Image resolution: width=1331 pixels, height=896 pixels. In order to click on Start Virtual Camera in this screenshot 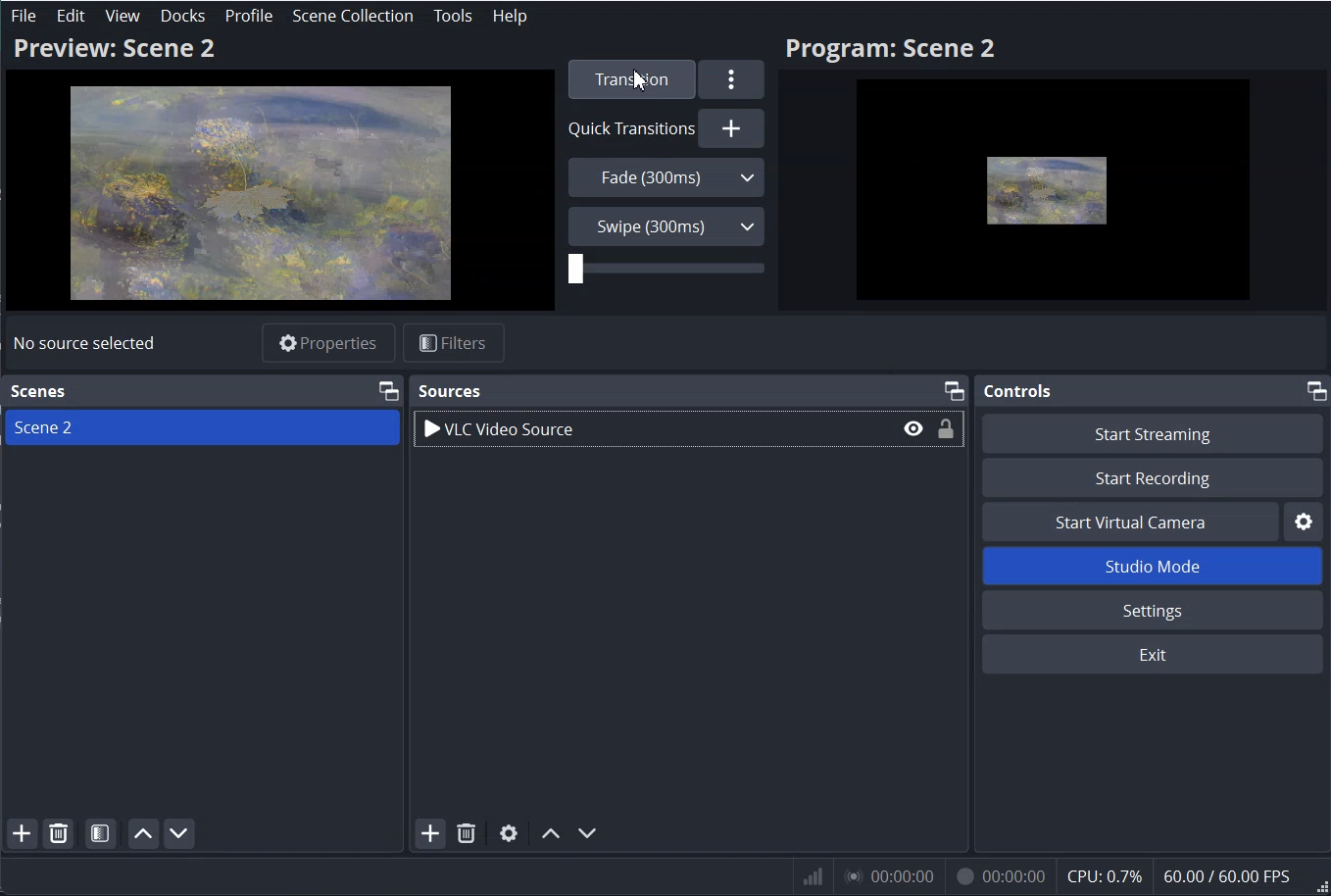, I will do `click(1129, 522)`.